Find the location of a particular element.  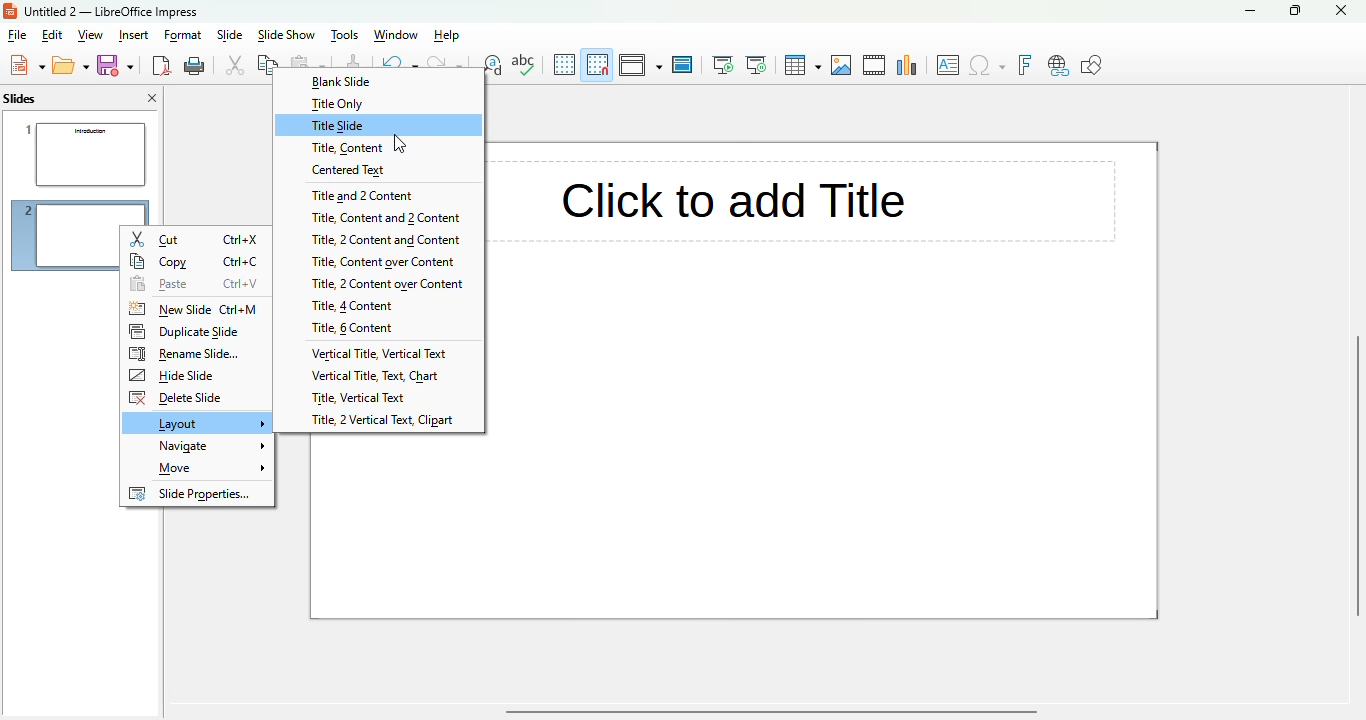

print is located at coordinates (195, 66).